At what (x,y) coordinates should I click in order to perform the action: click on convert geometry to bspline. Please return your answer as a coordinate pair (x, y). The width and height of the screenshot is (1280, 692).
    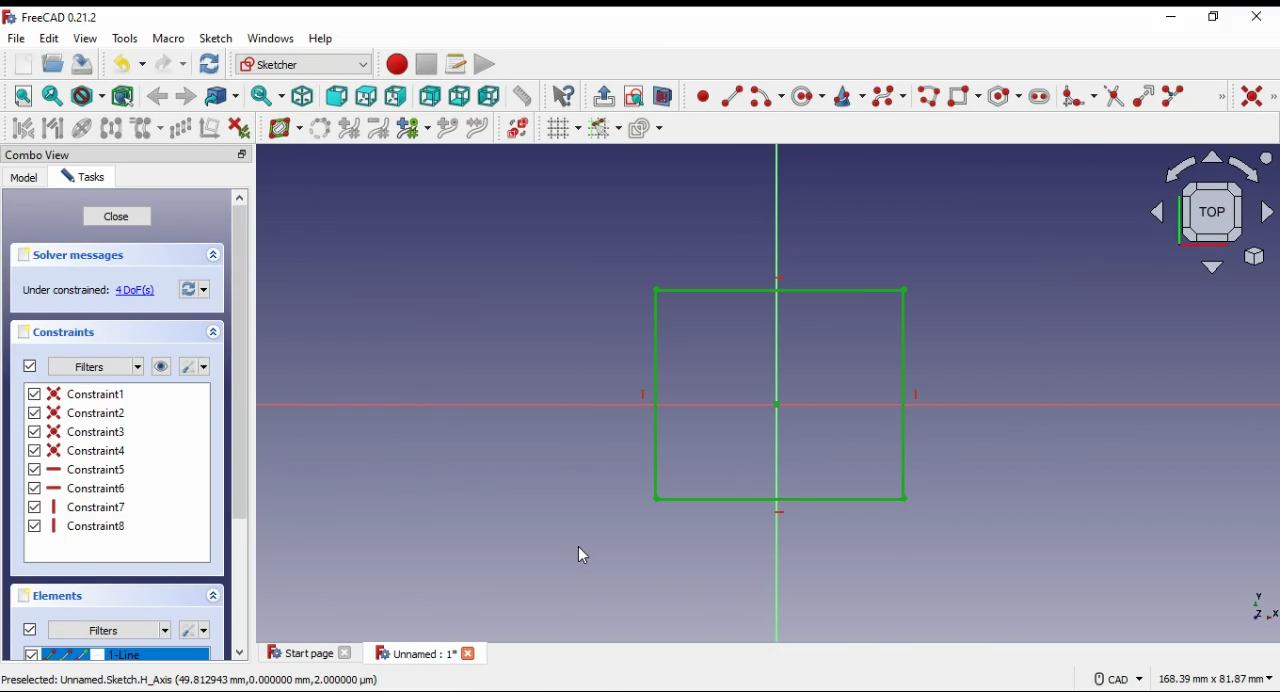
    Looking at the image, I should click on (321, 129).